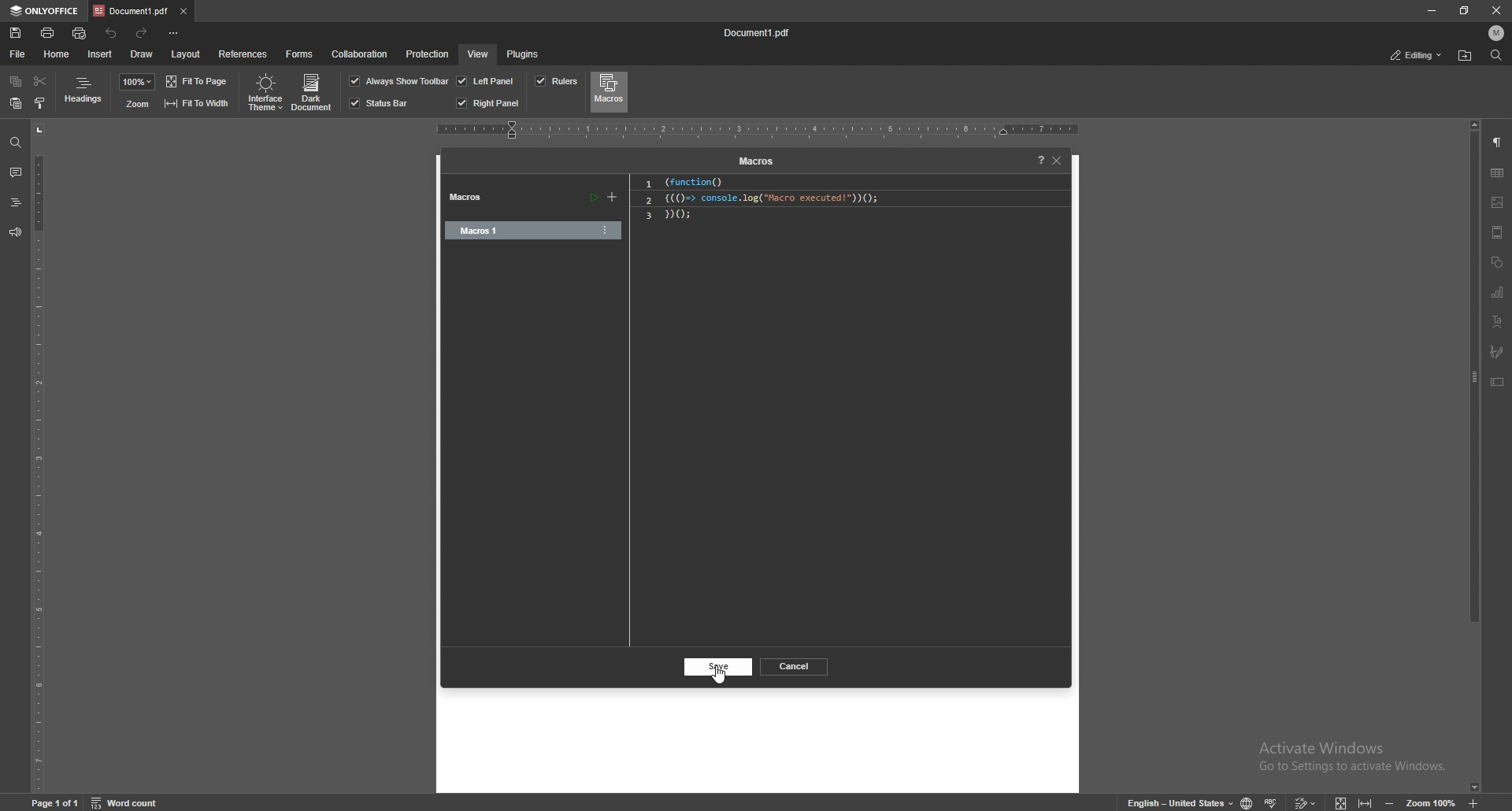 Image resolution: width=1512 pixels, height=811 pixels. Describe the element at coordinates (613, 198) in the screenshot. I see `add macro` at that location.